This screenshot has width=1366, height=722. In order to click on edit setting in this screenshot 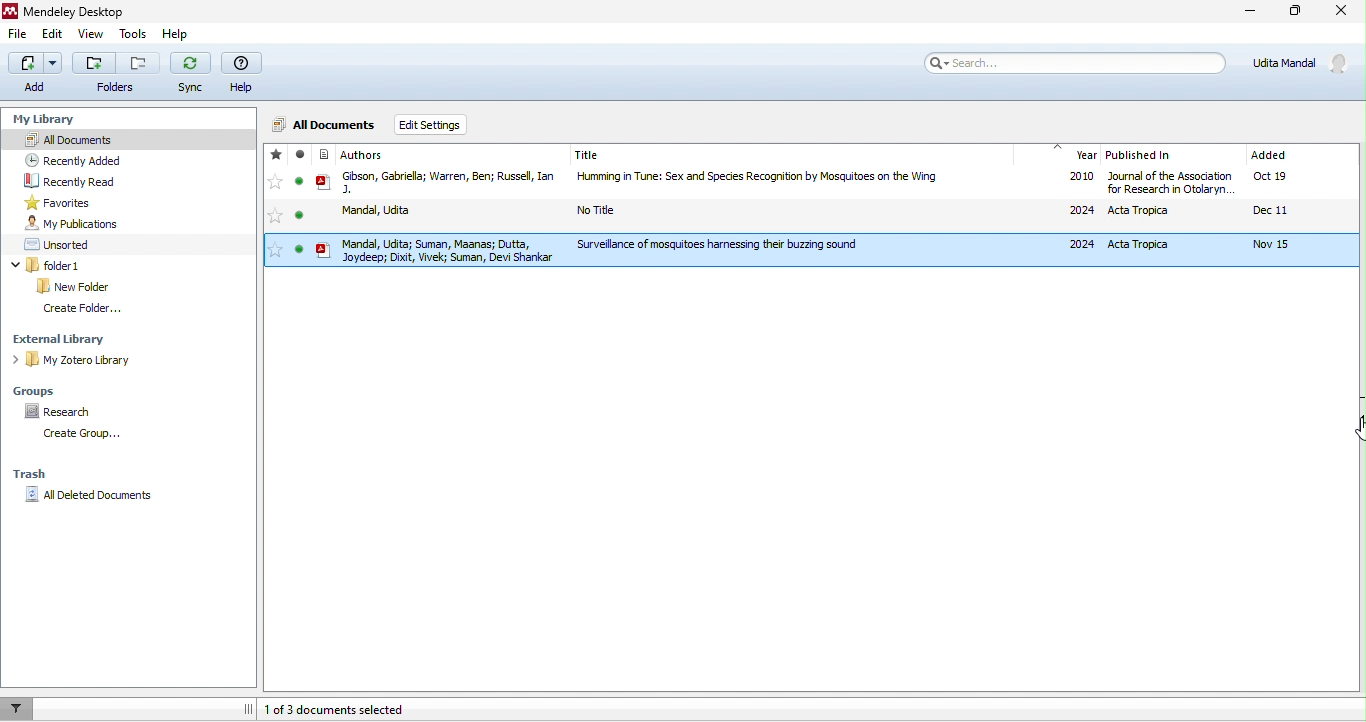, I will do `click(433, 126)`.